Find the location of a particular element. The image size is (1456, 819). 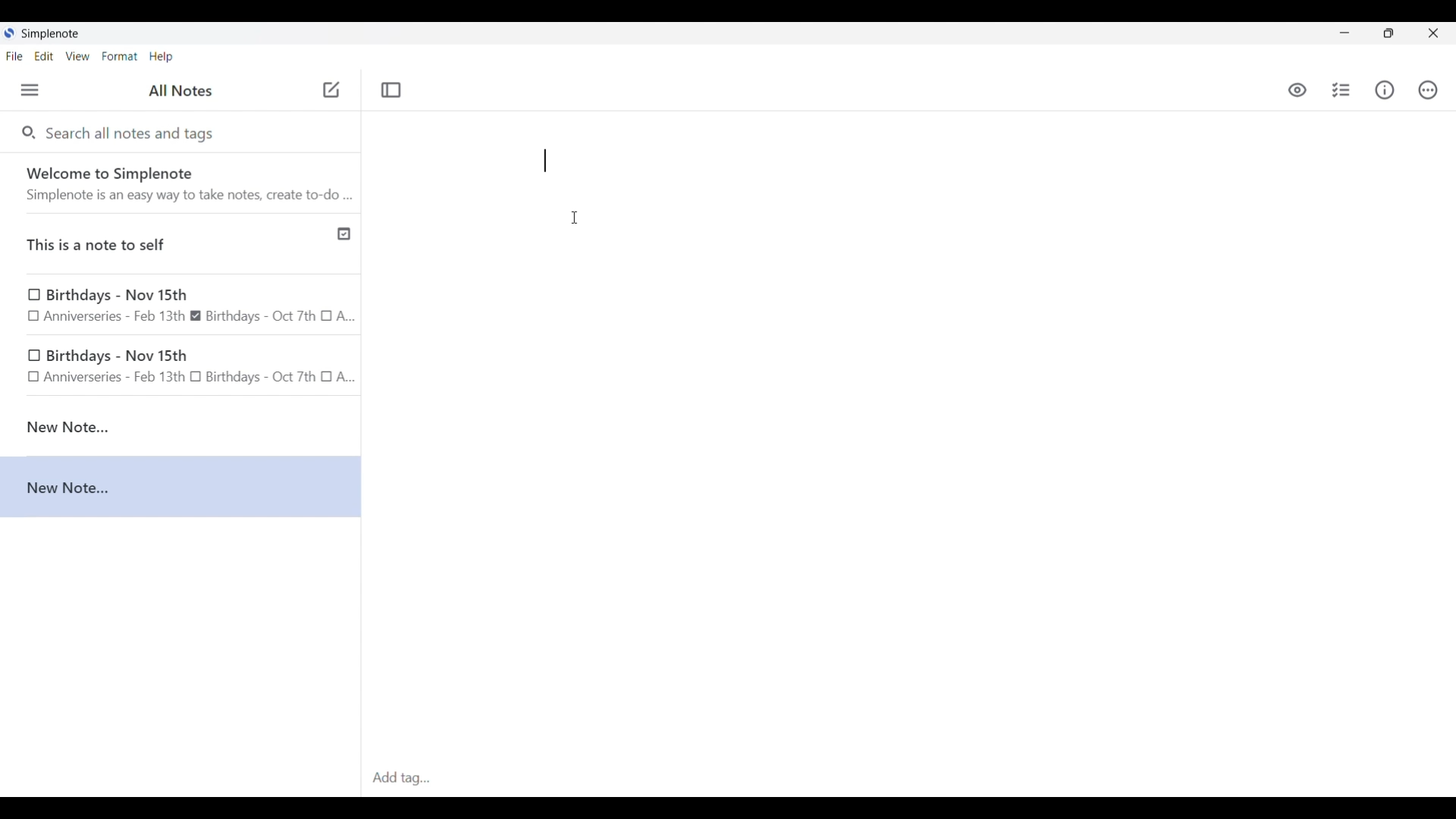

Birthday note is located at coordinates (181, 306).